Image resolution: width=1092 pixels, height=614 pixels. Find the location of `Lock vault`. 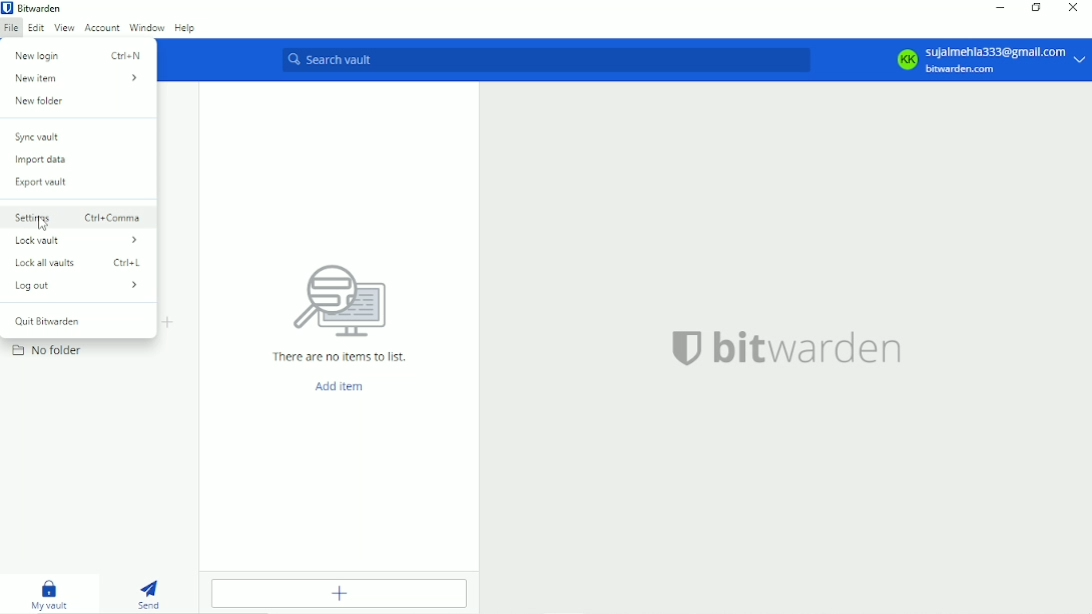

Lock vault is located at coordinates (79, 241).